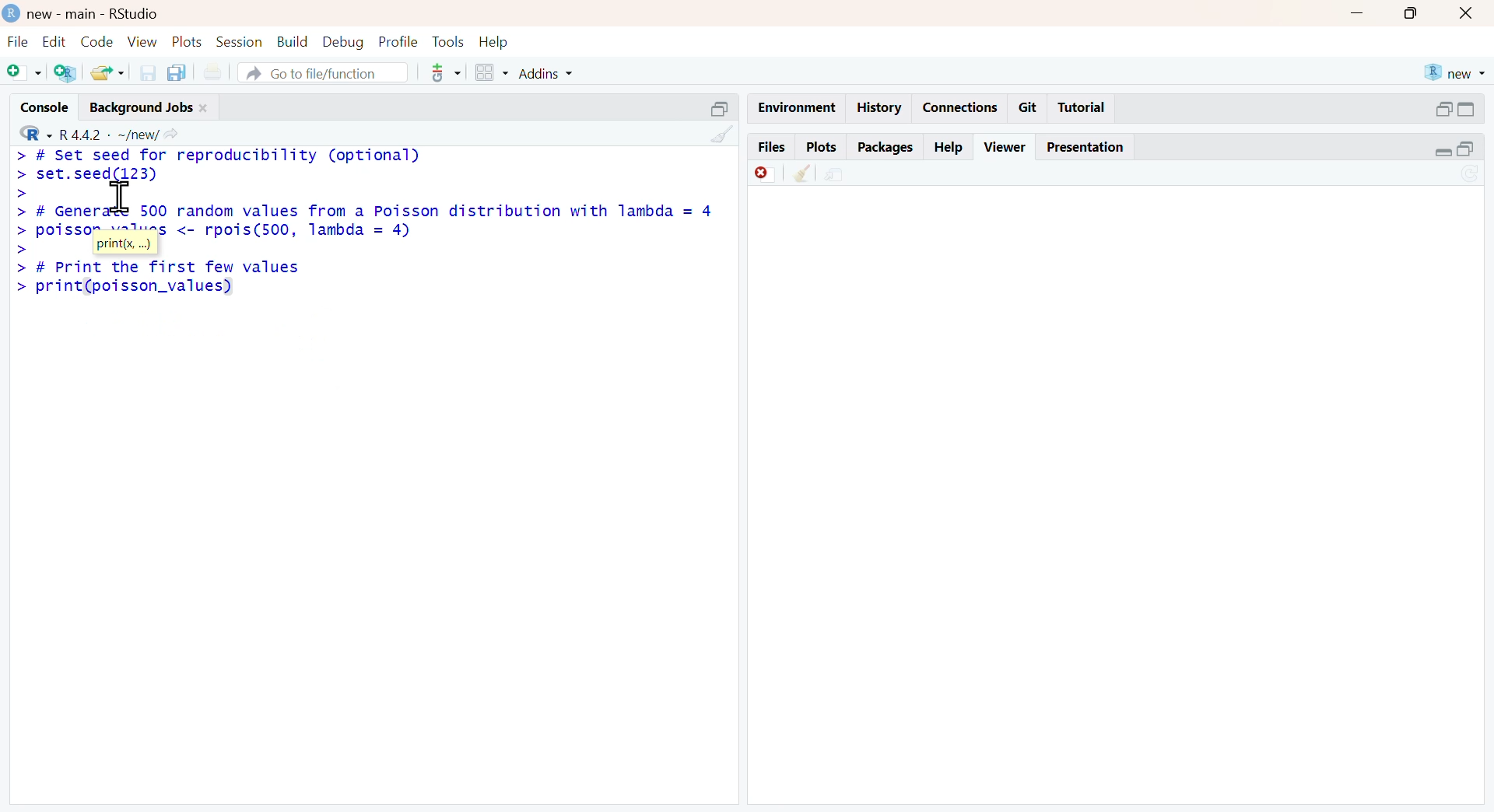 The height and width of the screenshot is (812, 1494). What do you see at coordinates (1444, 110) in the screenshot?
I see `open in separate window` at bounding box center [1444, 110].